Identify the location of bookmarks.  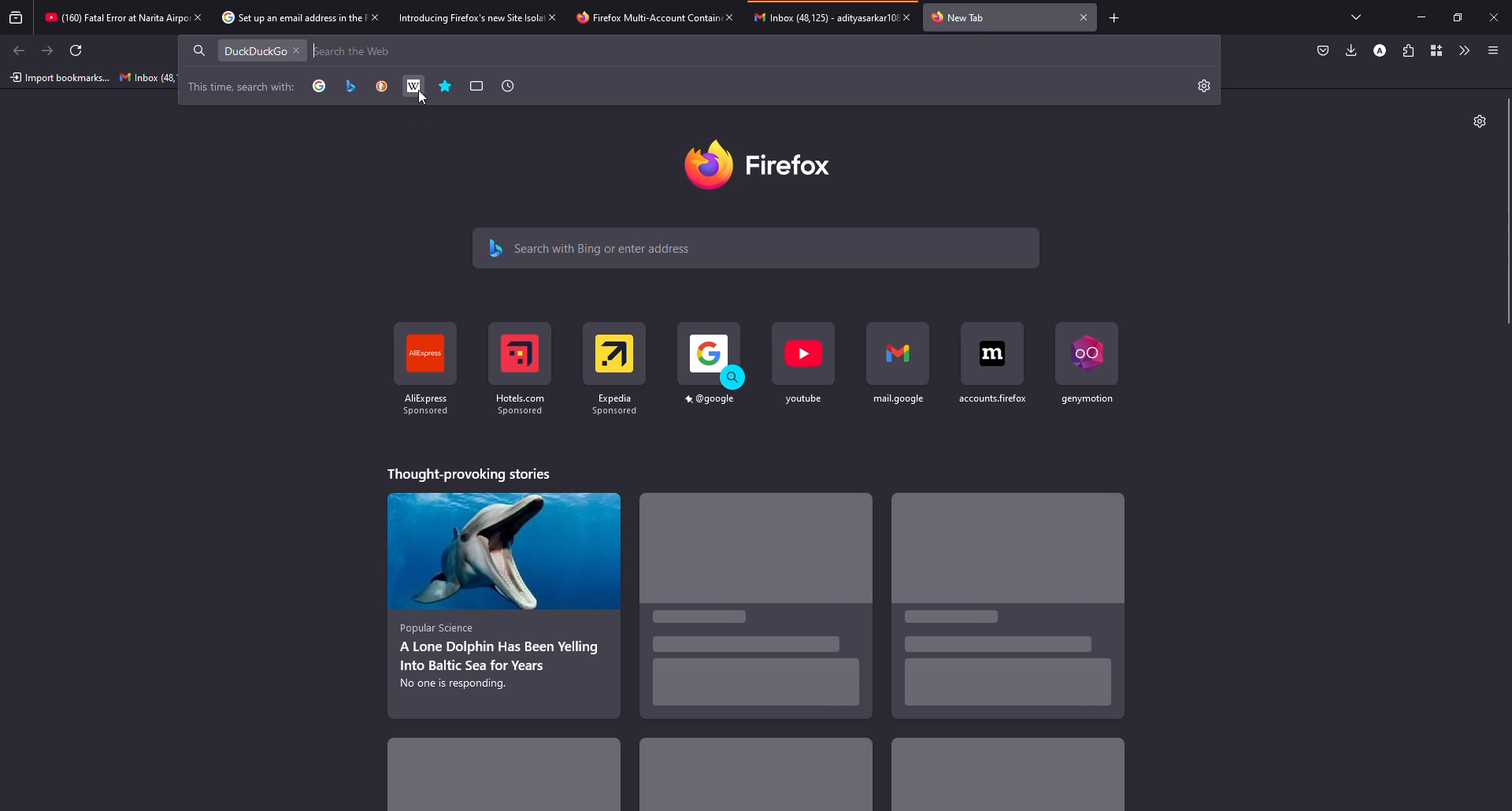
(447, 87).